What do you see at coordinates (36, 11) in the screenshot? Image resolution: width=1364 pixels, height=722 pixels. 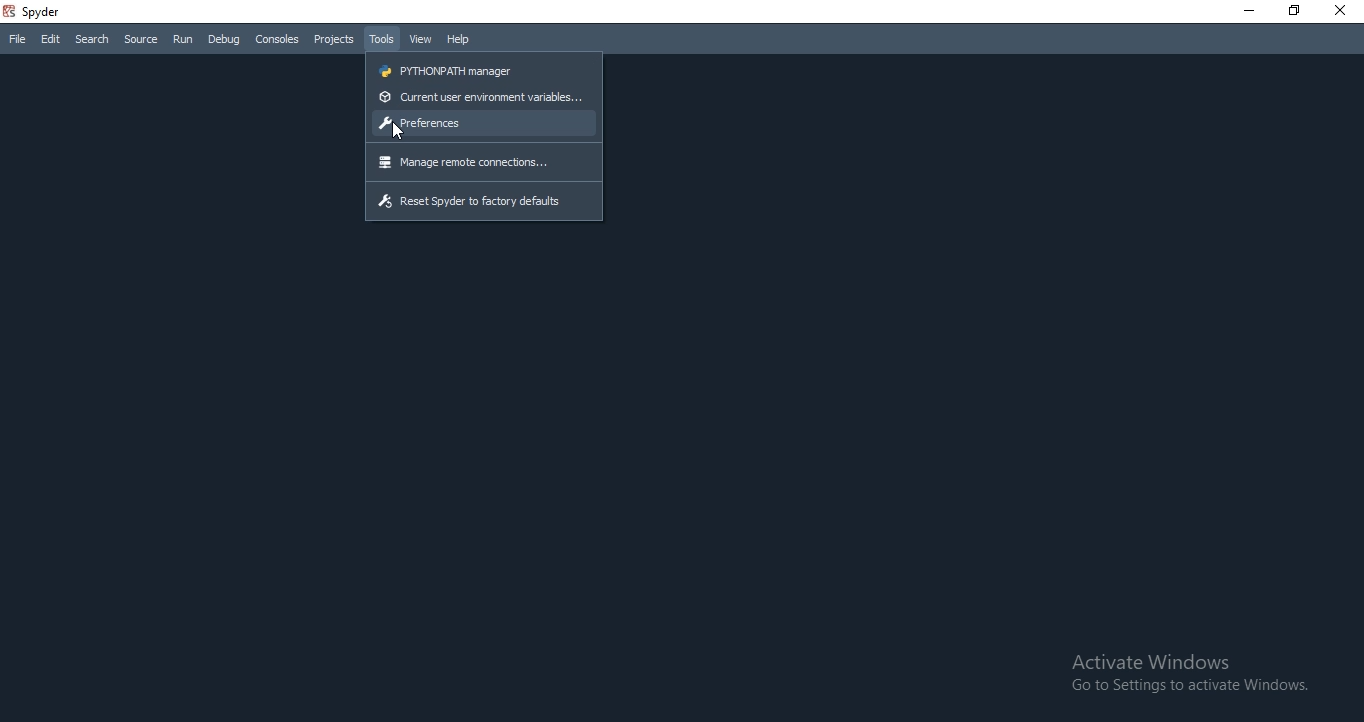 I see `spyder` at bounding box center [36, 11].